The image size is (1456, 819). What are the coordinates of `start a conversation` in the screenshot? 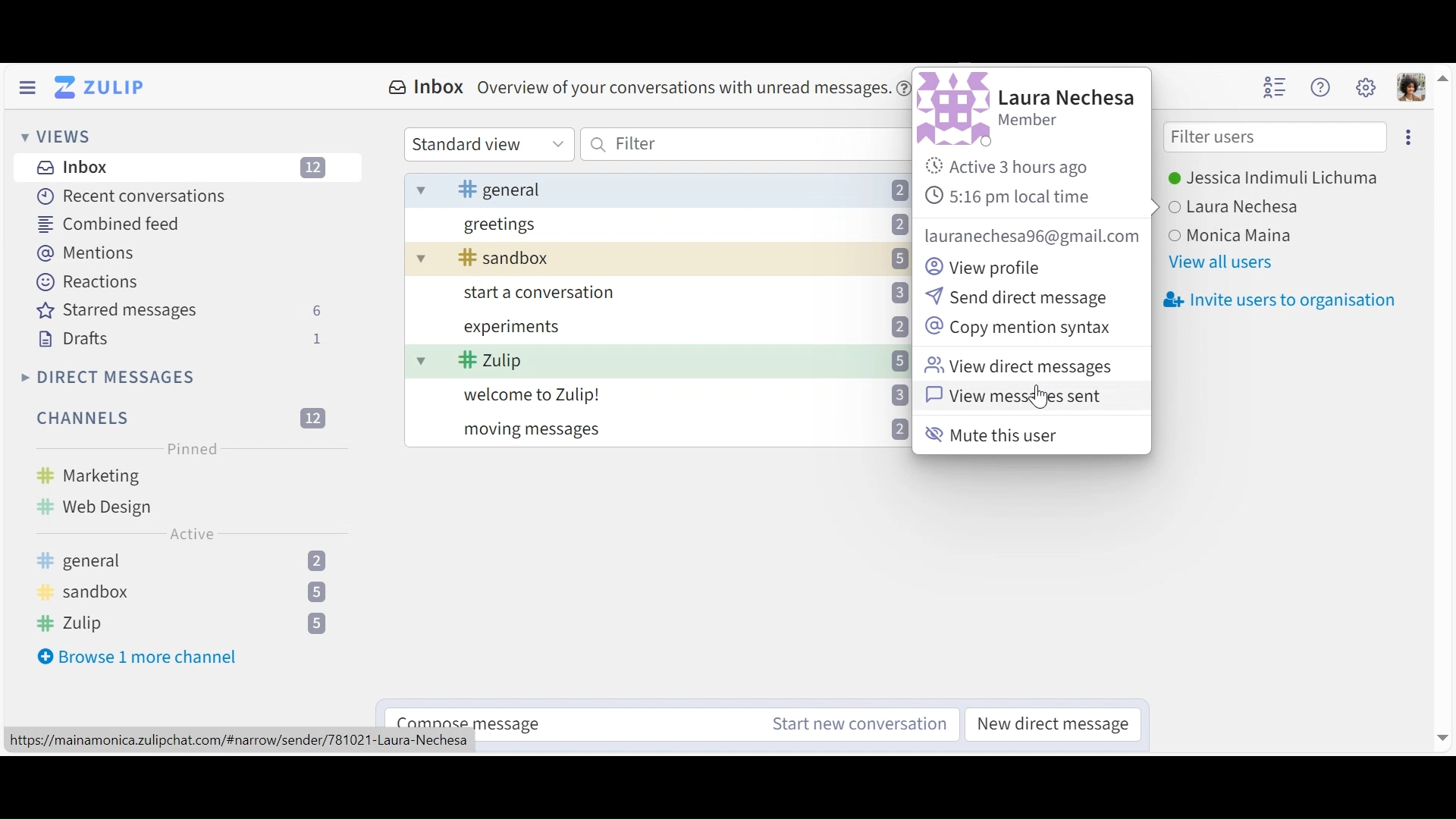 It's located at (680, 293).